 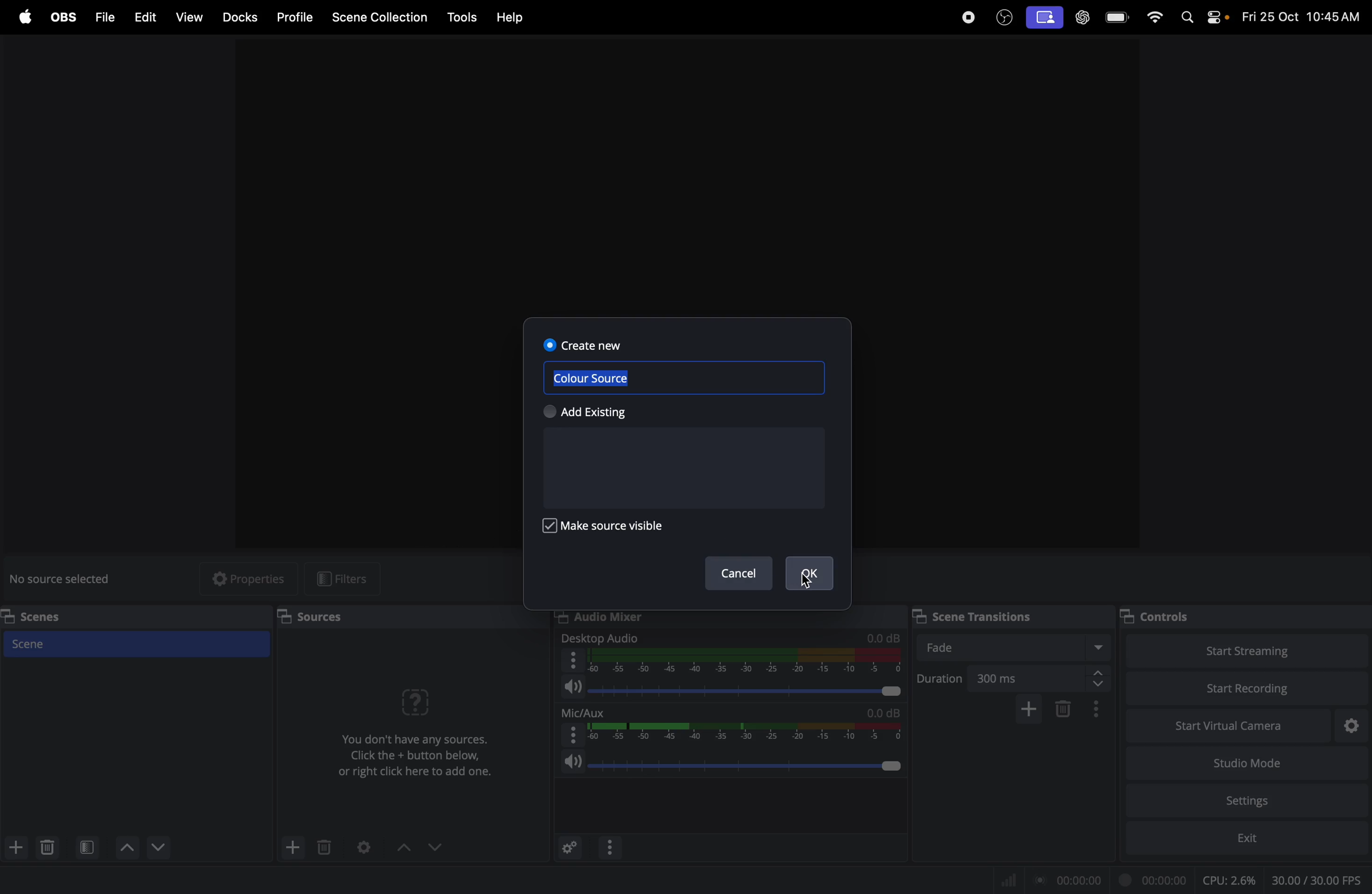 I want to click on record time, so click(x=1113, y=880).